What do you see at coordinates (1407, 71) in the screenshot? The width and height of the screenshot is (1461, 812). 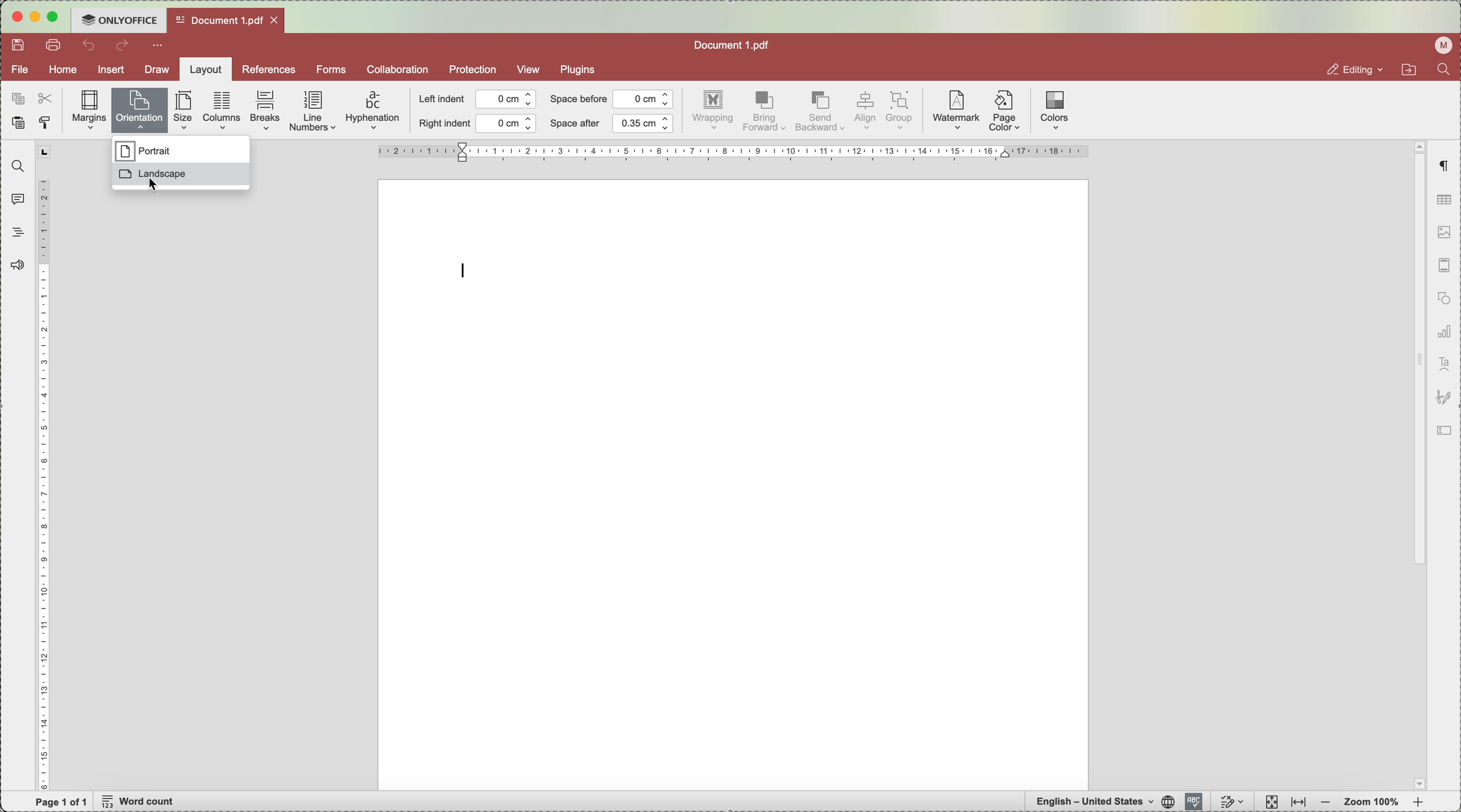 I see `open file location` at bounding box center [1407, 71].